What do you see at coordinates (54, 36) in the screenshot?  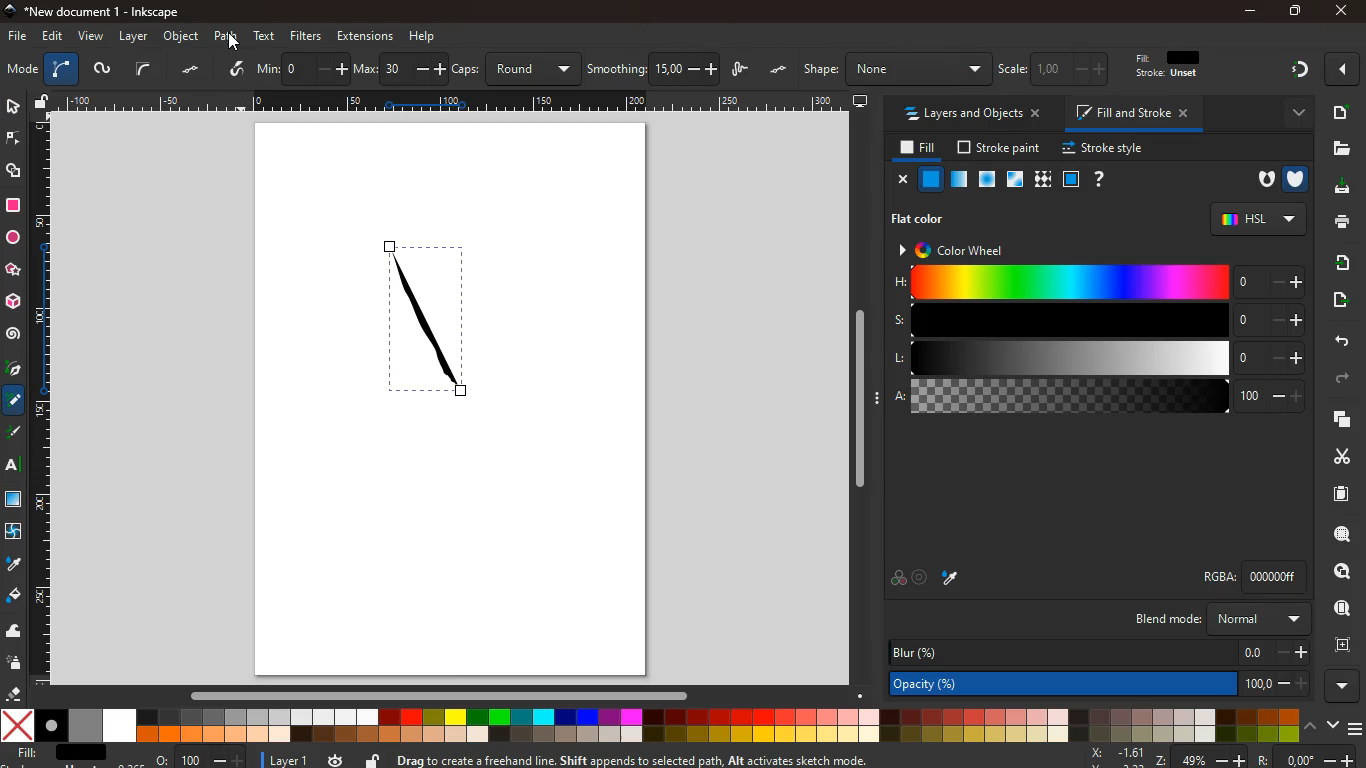 I see `edit` at bounding box center [54, 36].